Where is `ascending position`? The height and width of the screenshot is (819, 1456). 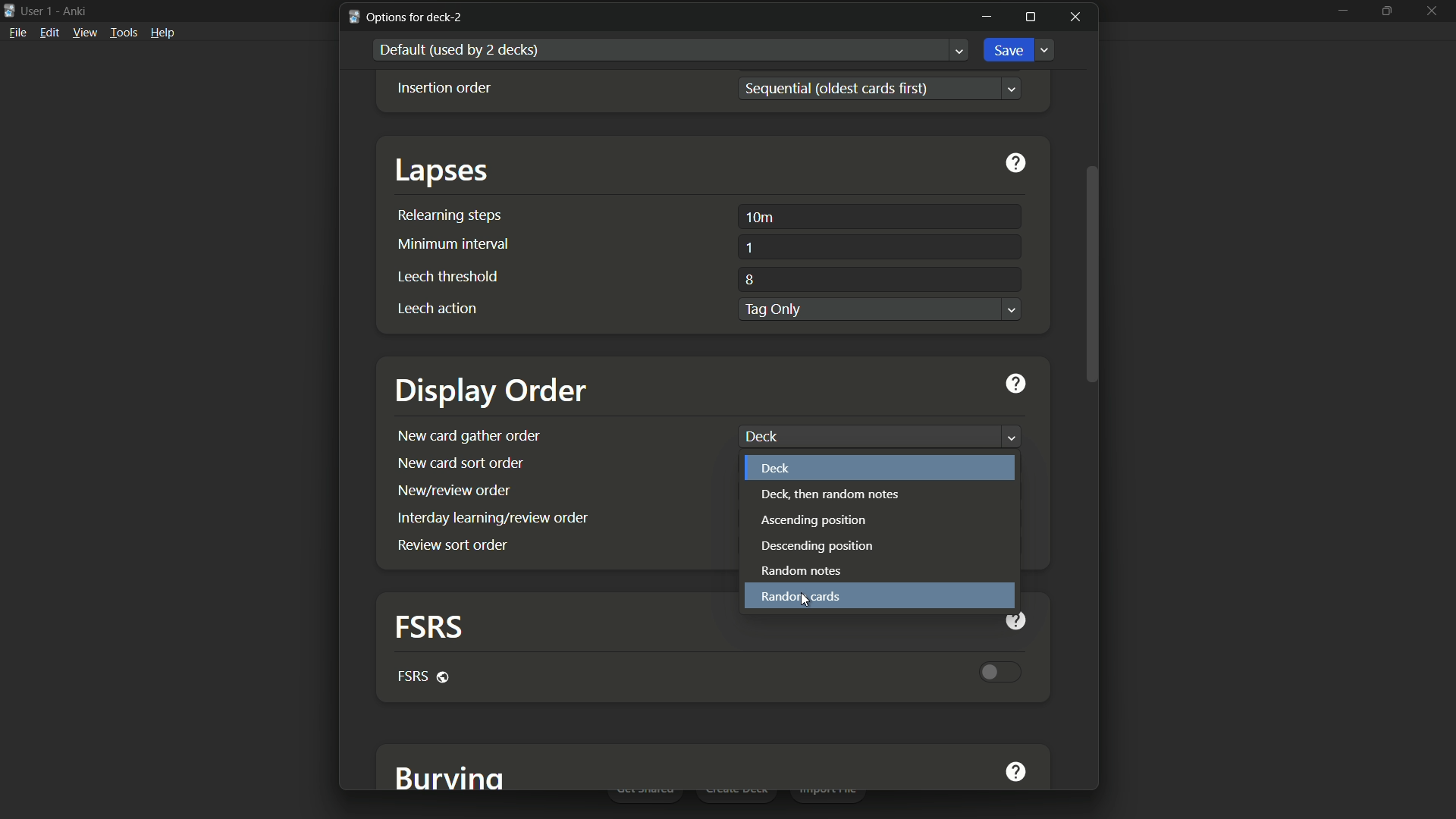
ascending position is located at coordinates (813, 520).